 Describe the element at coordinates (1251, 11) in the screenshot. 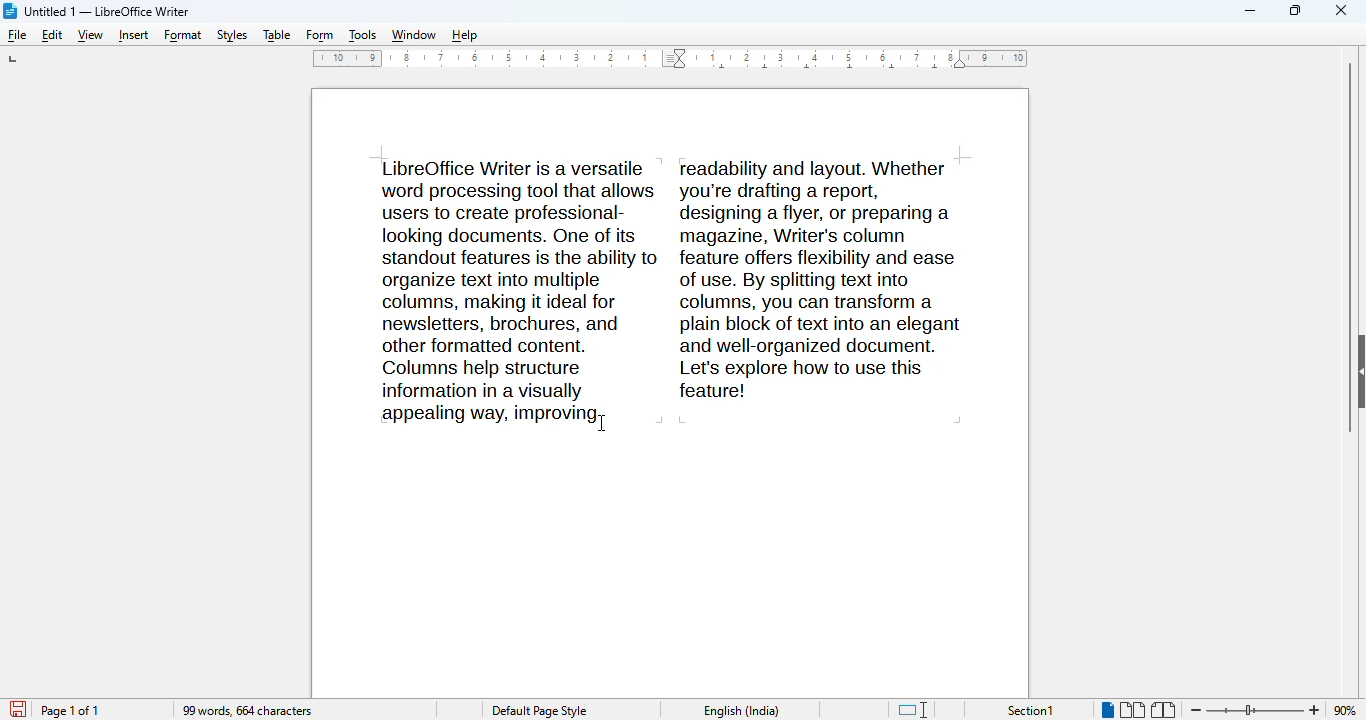

I see `minimize` at that location.